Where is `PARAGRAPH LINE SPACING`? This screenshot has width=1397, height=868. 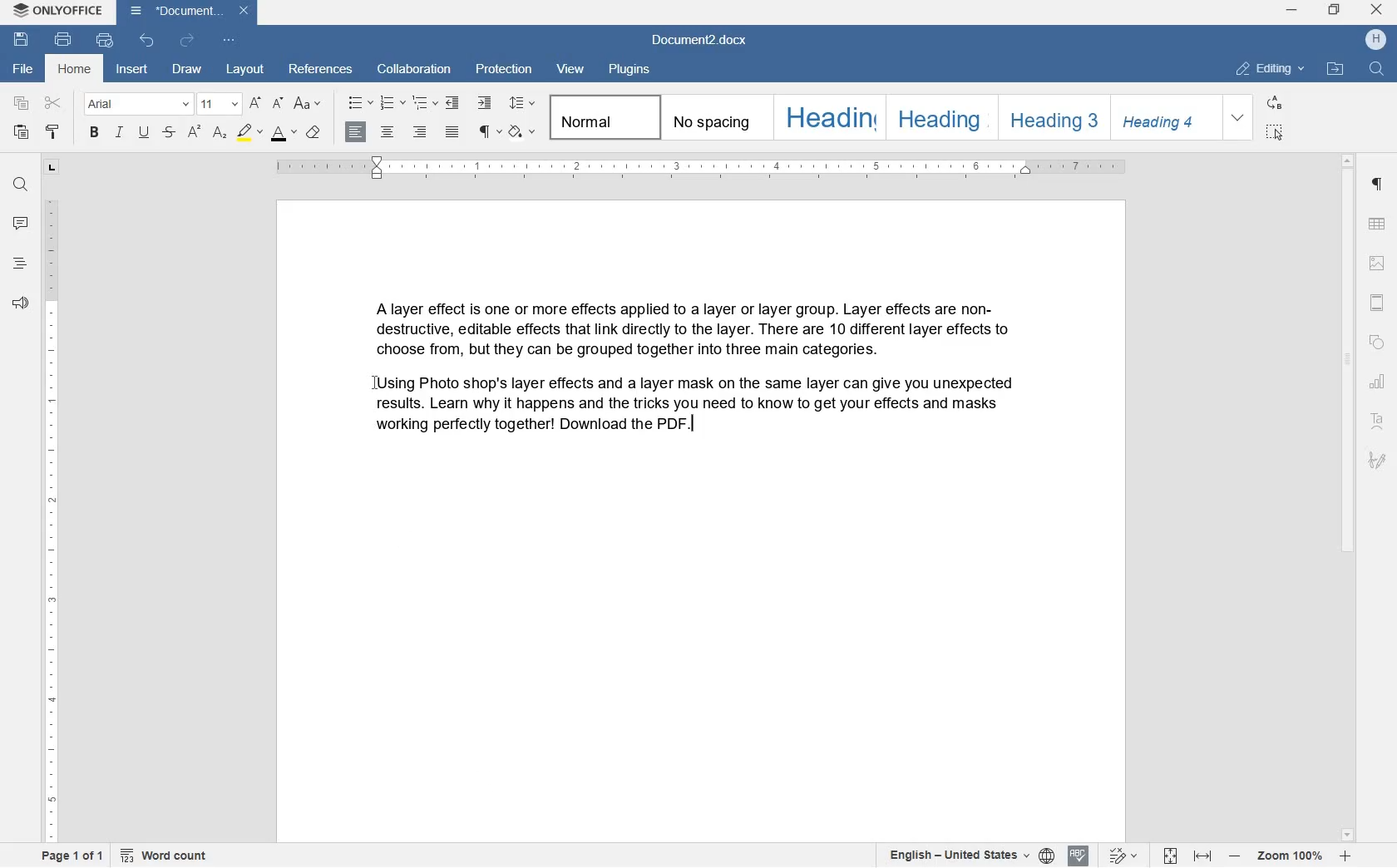
PARAGRAPH LINE SPACING is located at coordinates (523, 102).